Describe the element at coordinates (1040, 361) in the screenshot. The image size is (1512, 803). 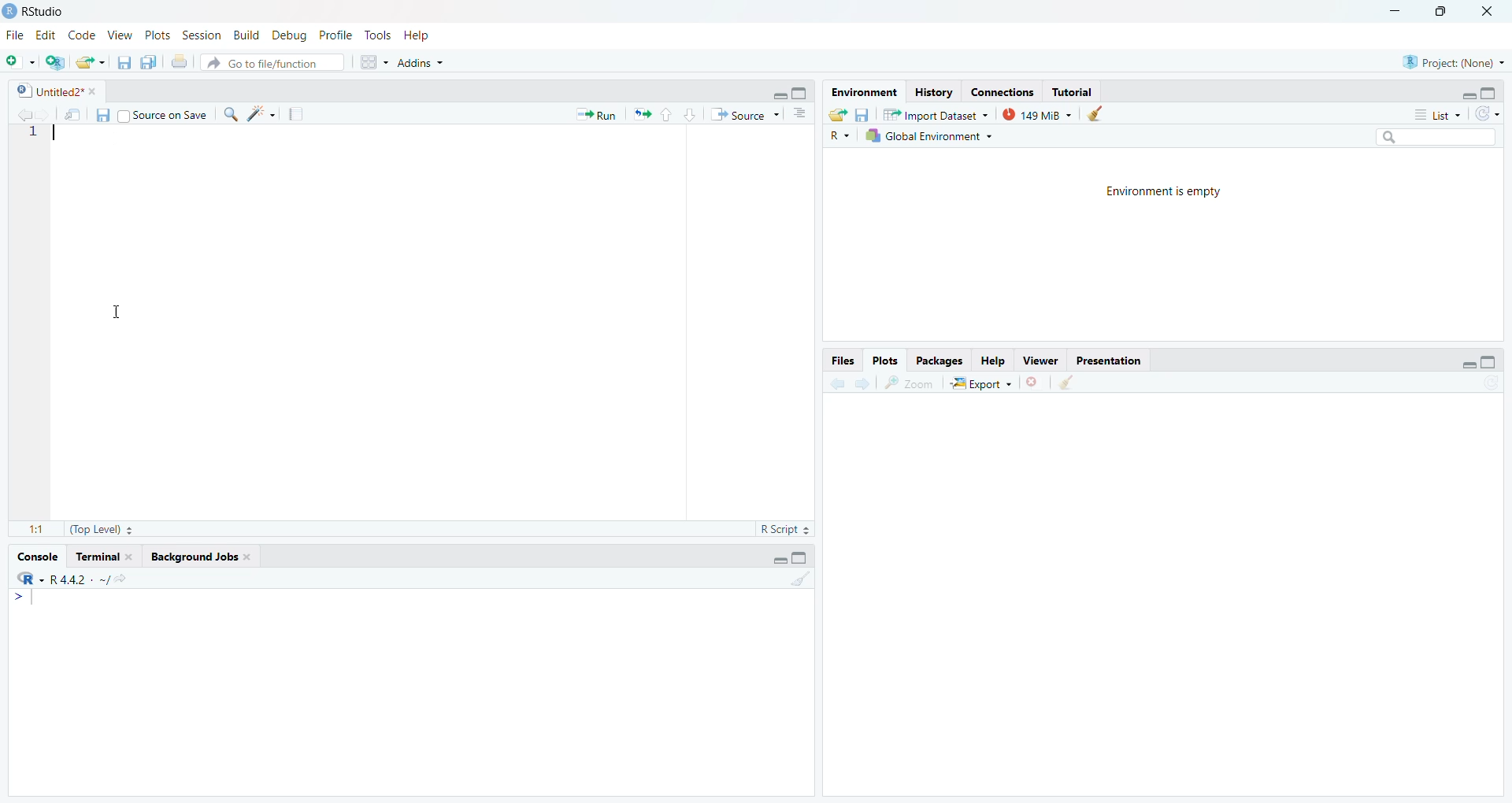
I see `View` at that location.